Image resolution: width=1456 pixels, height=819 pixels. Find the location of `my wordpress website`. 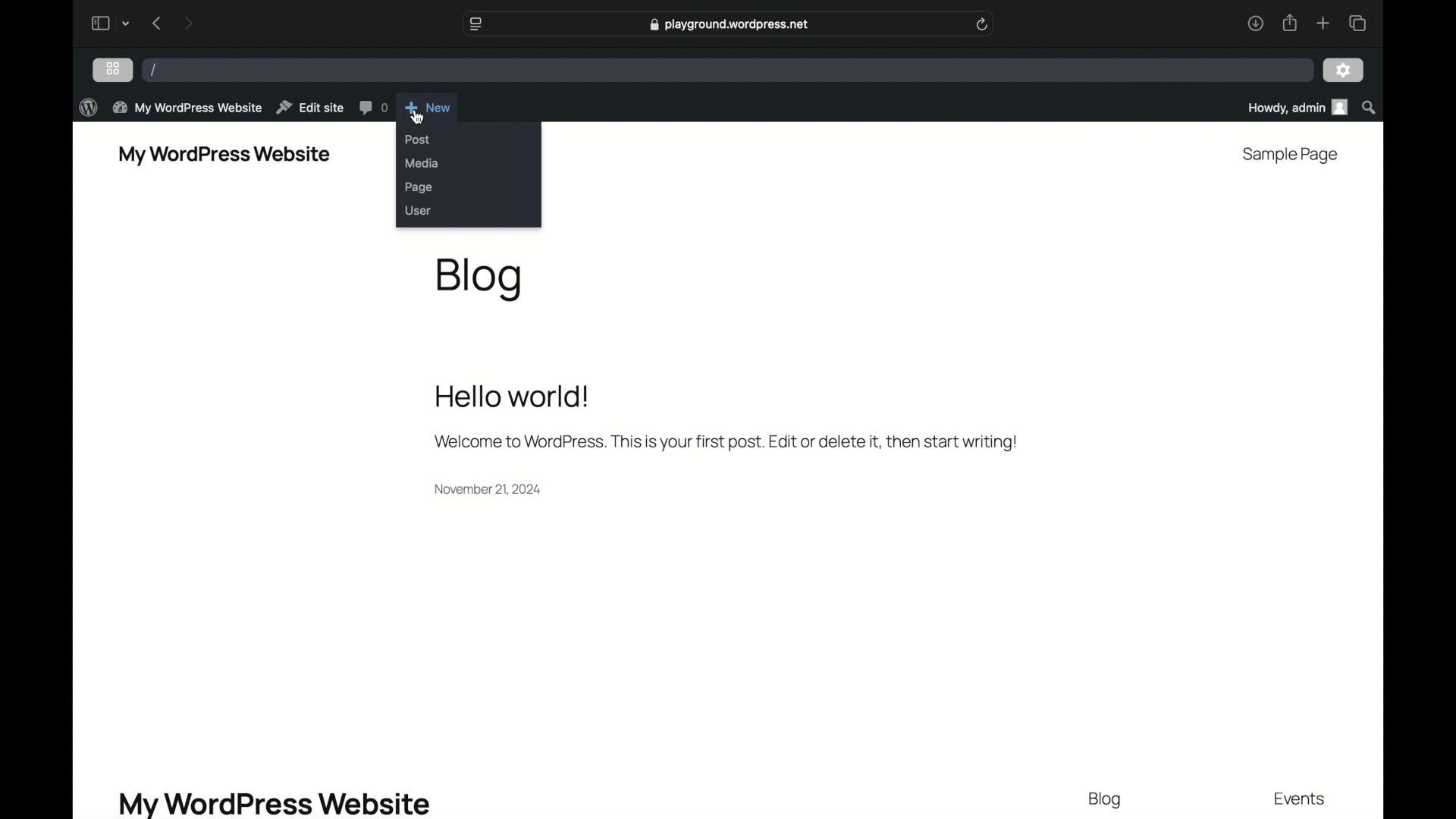

my wordpress website is located at coordinates (273, 803).